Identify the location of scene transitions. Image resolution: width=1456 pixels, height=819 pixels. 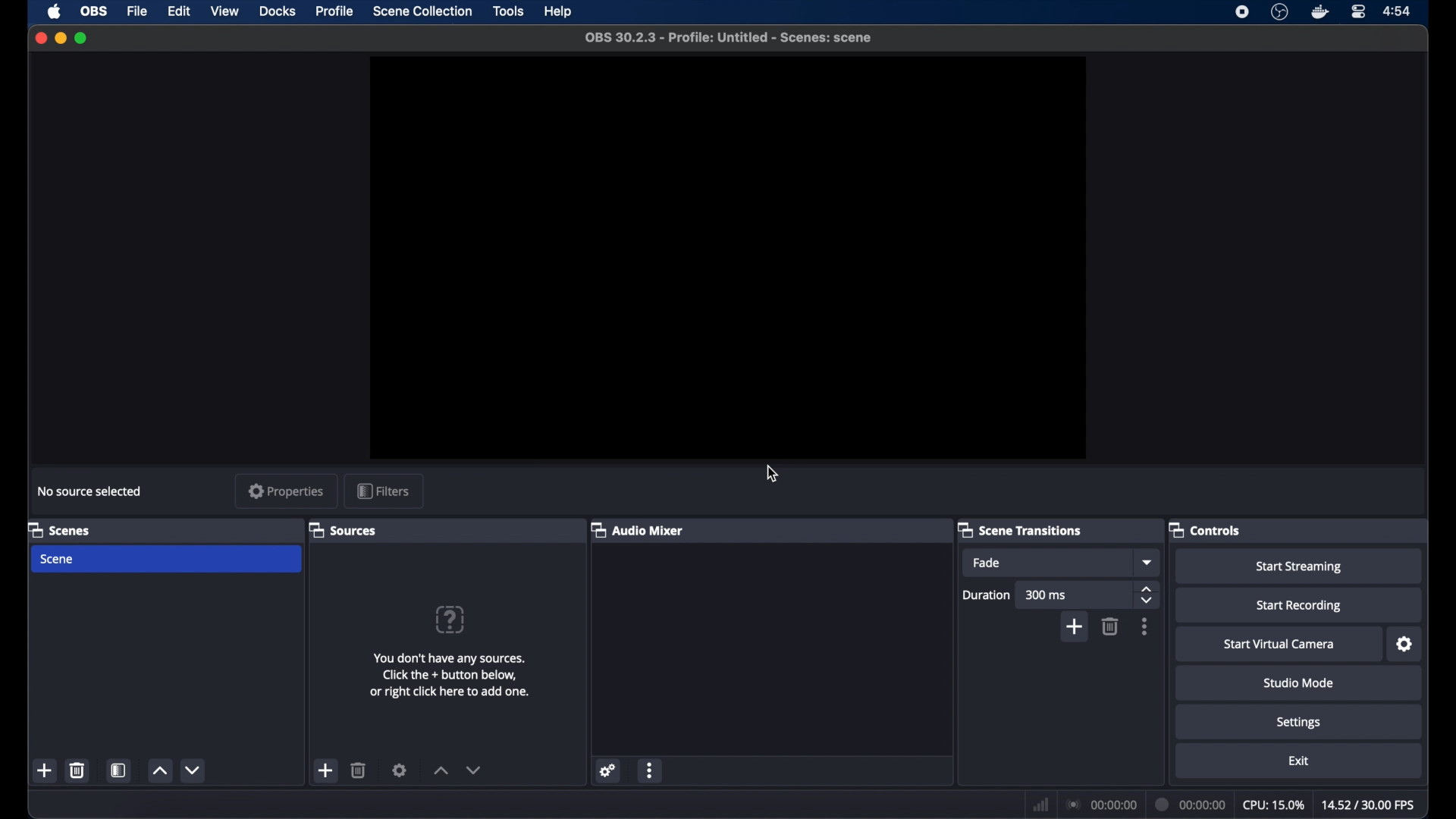
(1021, 529).